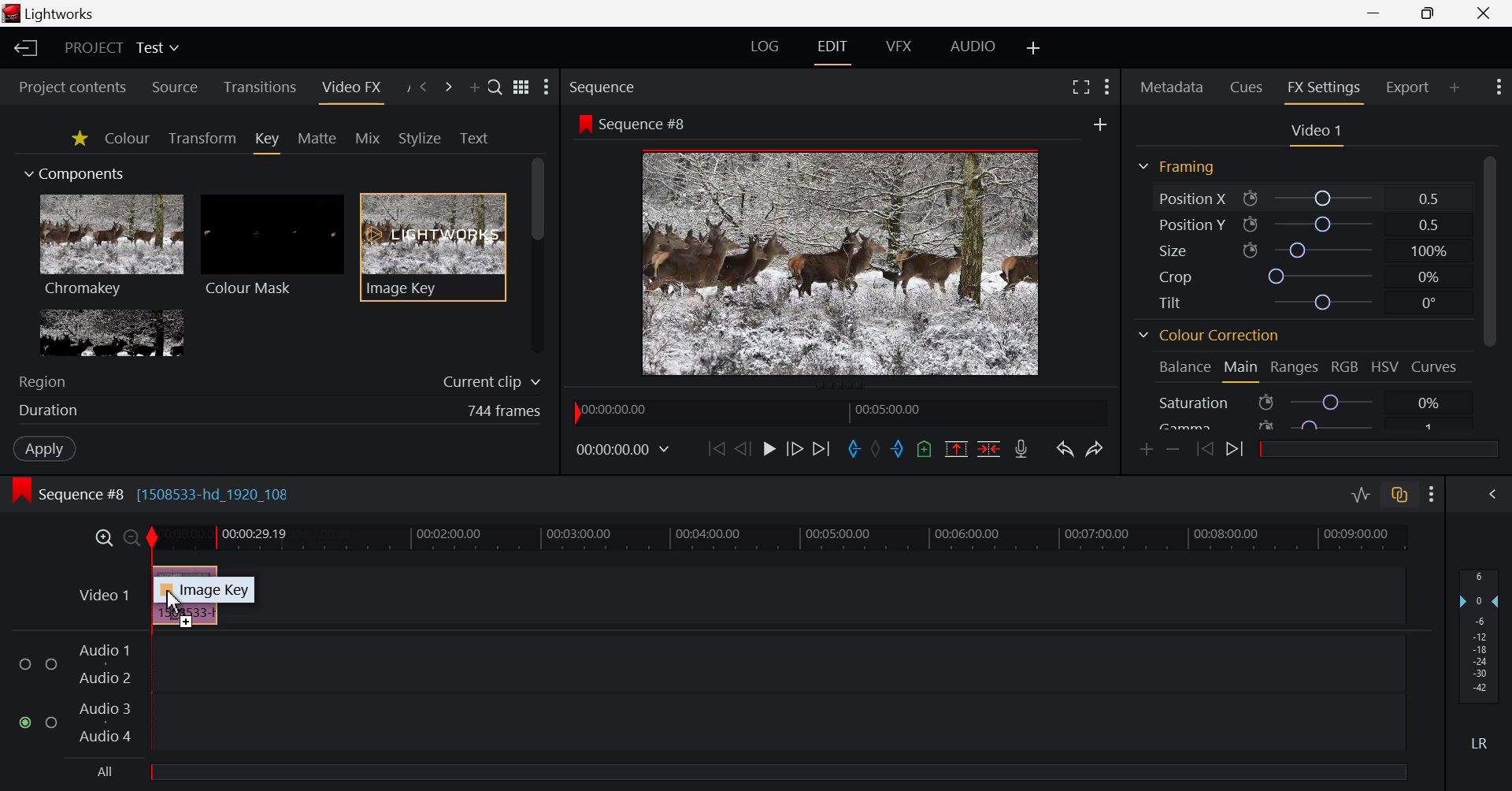 The width and height of the screenshot is (1512, 791). Describe the element at coordinates (1383, 365) in the screenshot. I see `HSV` at that location.